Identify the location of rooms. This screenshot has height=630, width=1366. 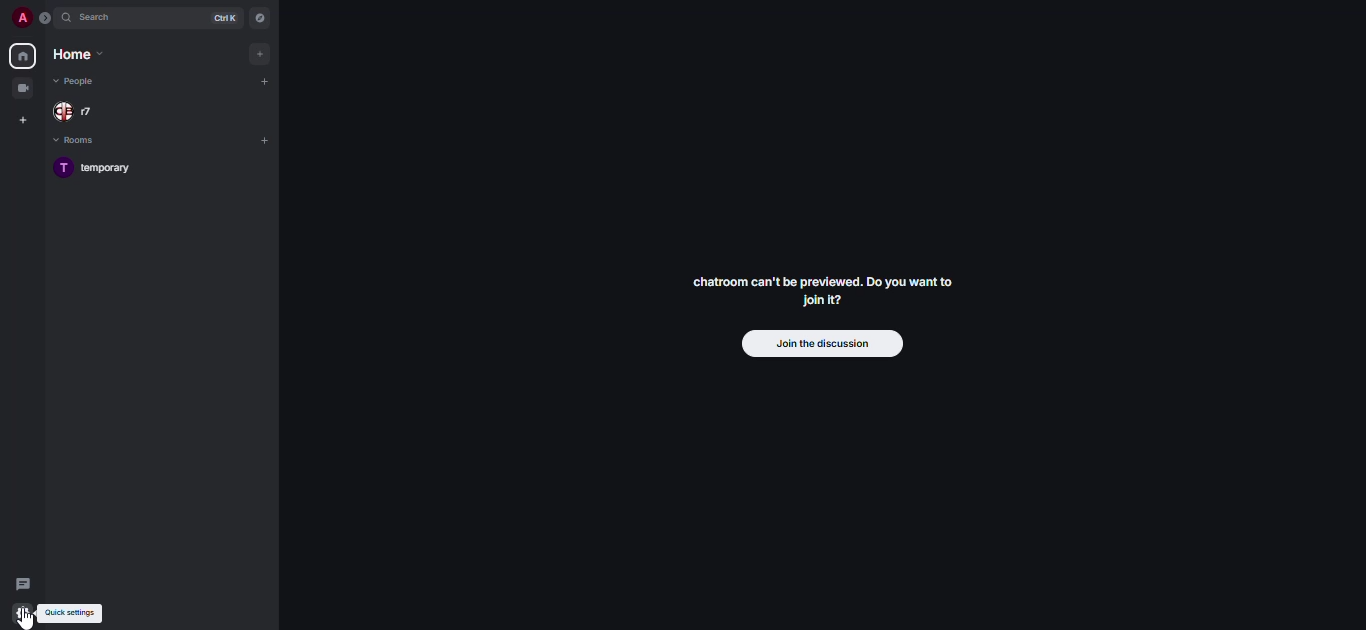
(89, 141).